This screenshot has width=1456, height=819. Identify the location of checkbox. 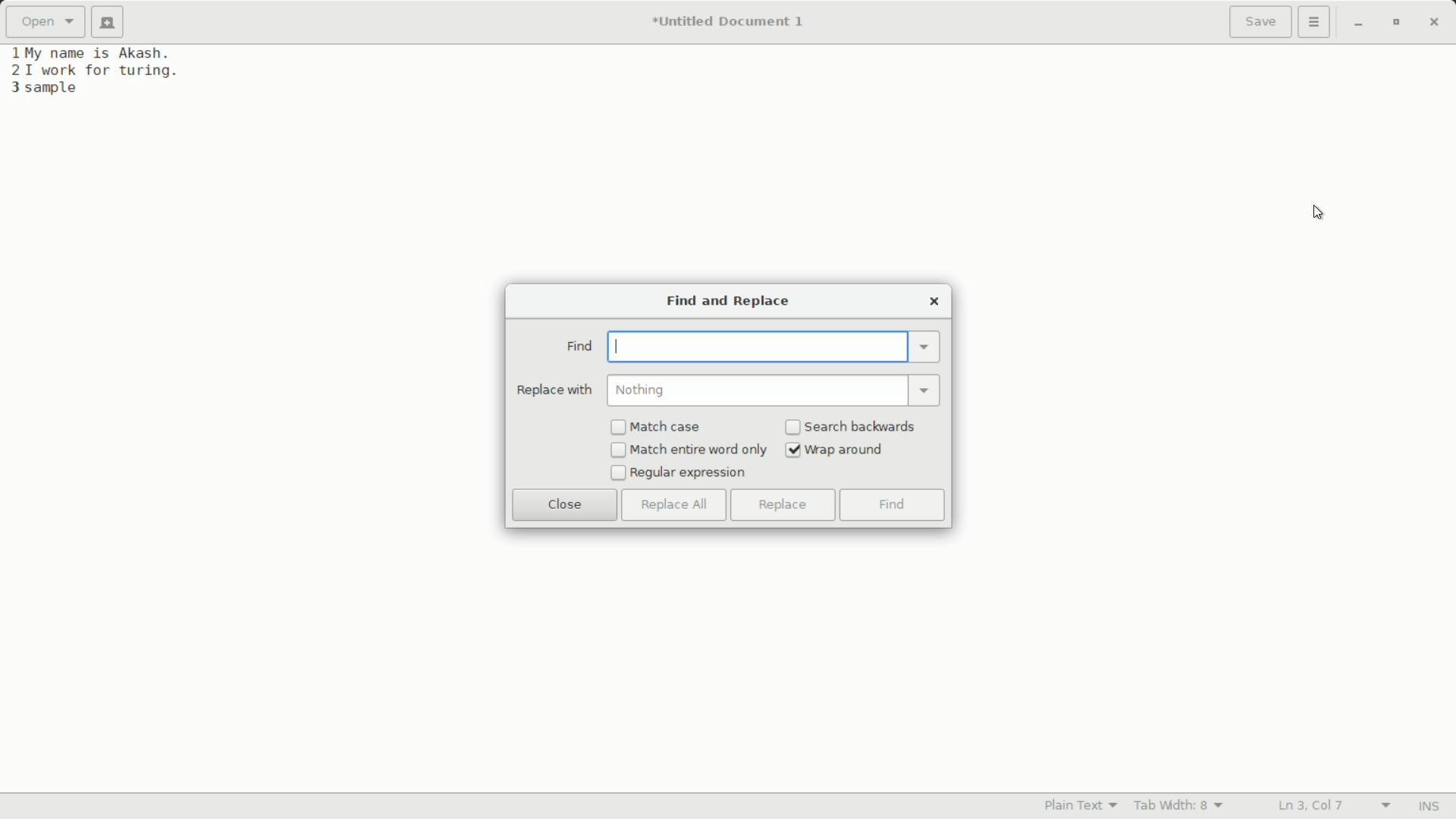
(793, 428).